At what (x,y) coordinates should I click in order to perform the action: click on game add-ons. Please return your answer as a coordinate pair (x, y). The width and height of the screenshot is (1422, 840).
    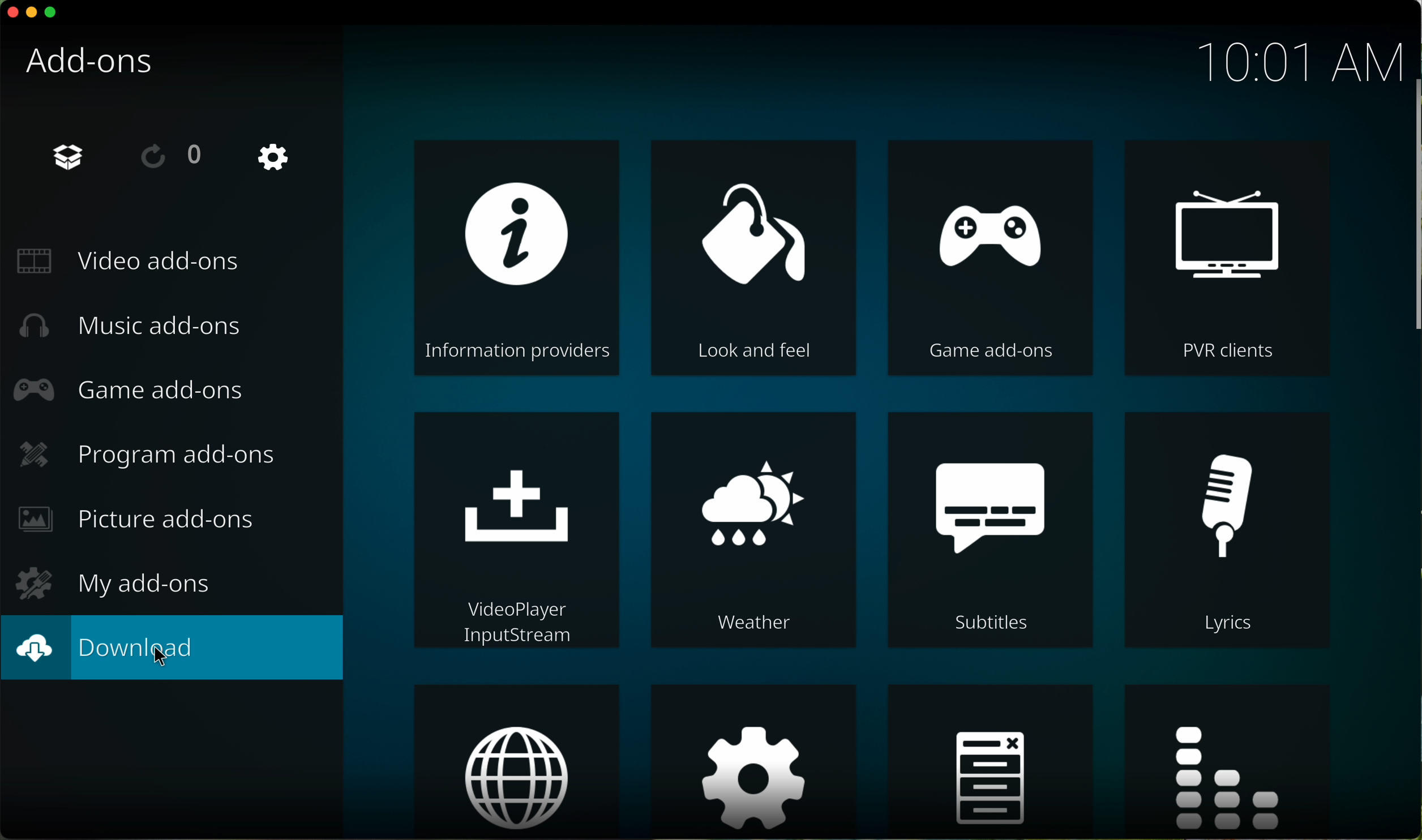
    Looking at the image, I should click on (132, 393).